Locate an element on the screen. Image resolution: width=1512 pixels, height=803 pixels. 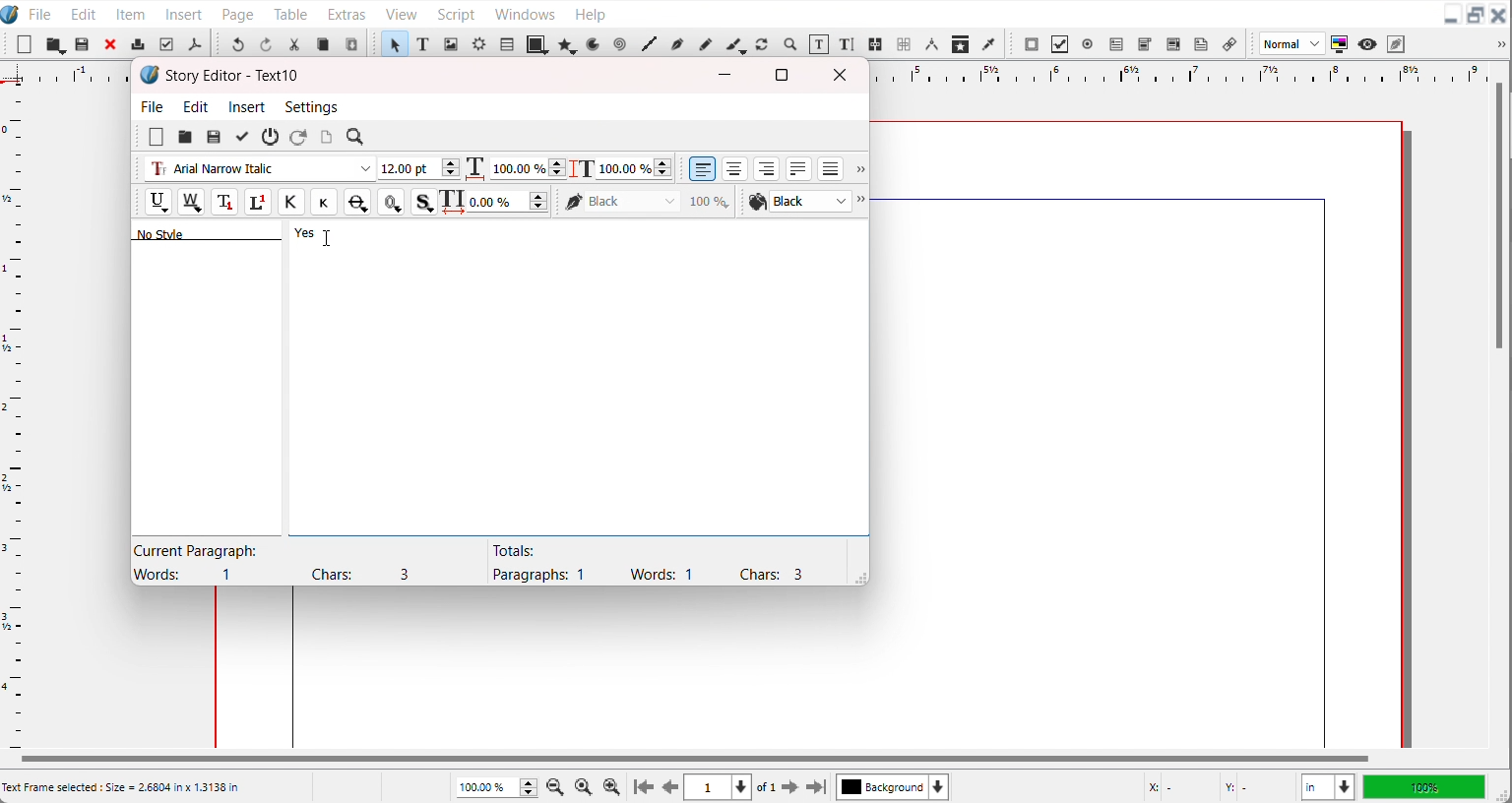
Table is located at coordinates (291, 13).